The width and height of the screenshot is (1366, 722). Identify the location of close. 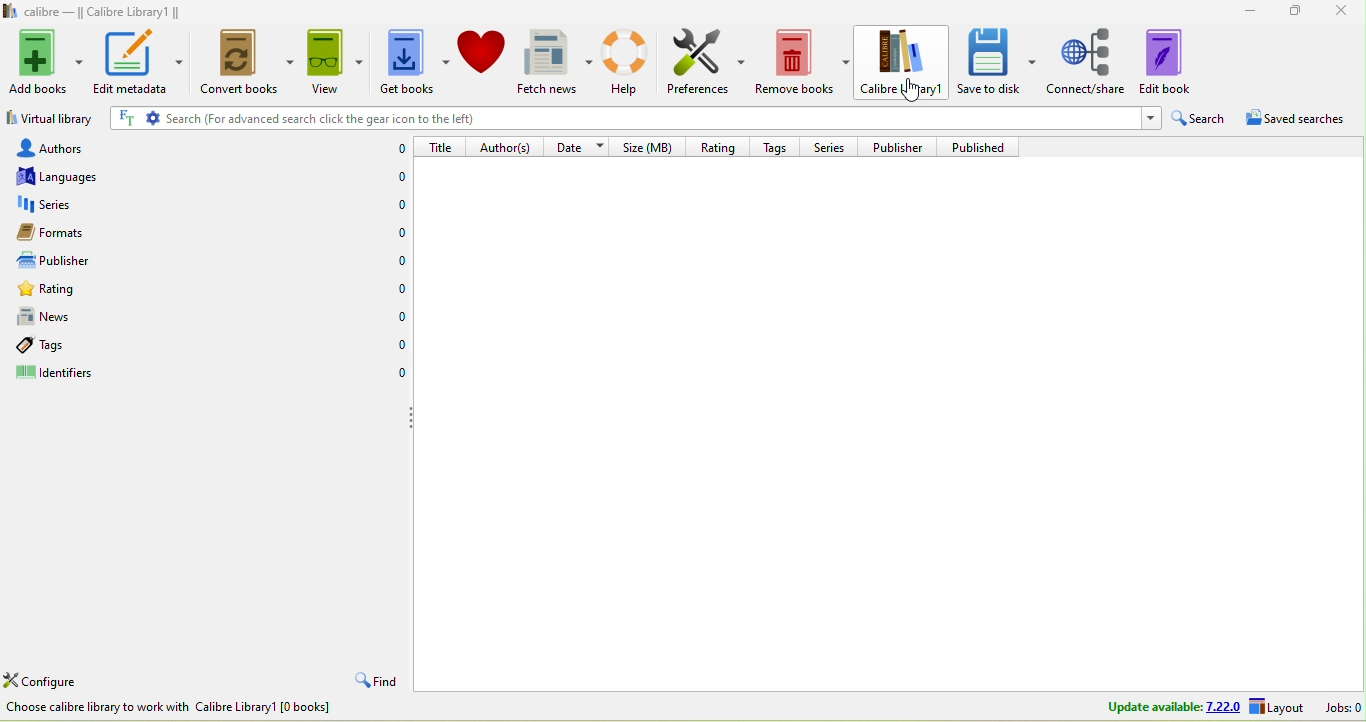
(1342, 12).